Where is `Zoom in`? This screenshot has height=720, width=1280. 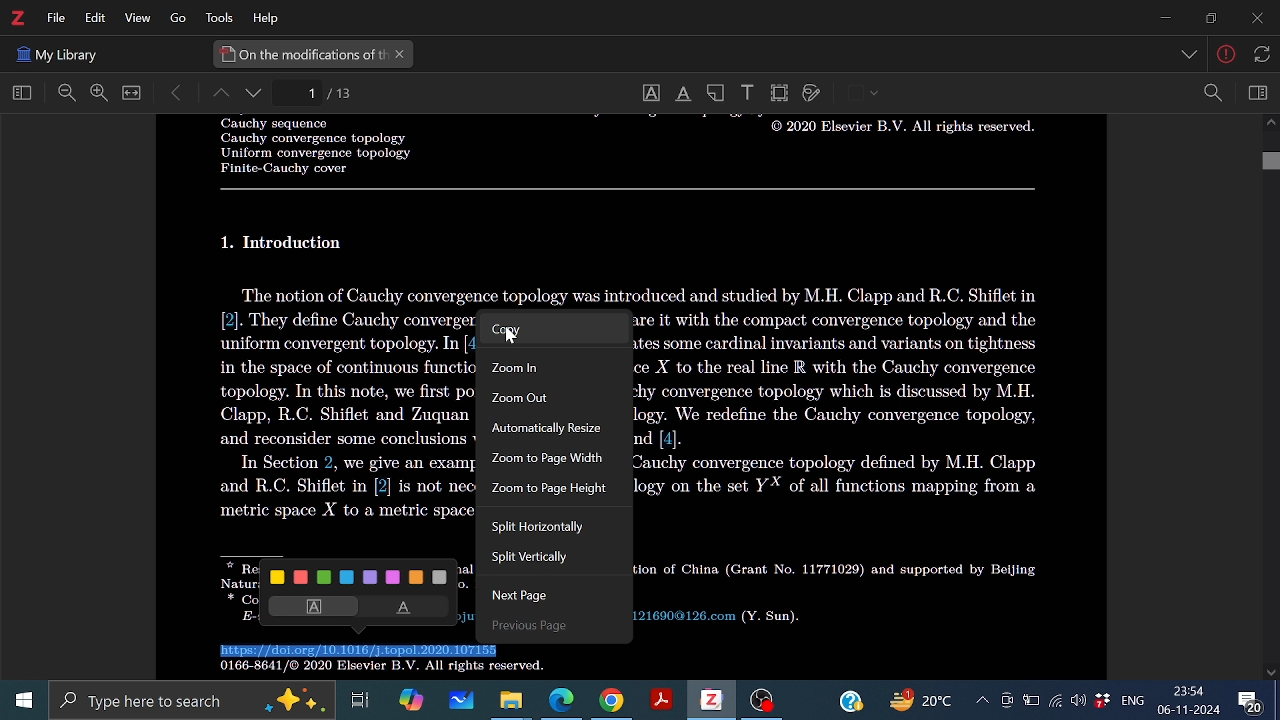 Zoom in is located at coordinates (98, 93).